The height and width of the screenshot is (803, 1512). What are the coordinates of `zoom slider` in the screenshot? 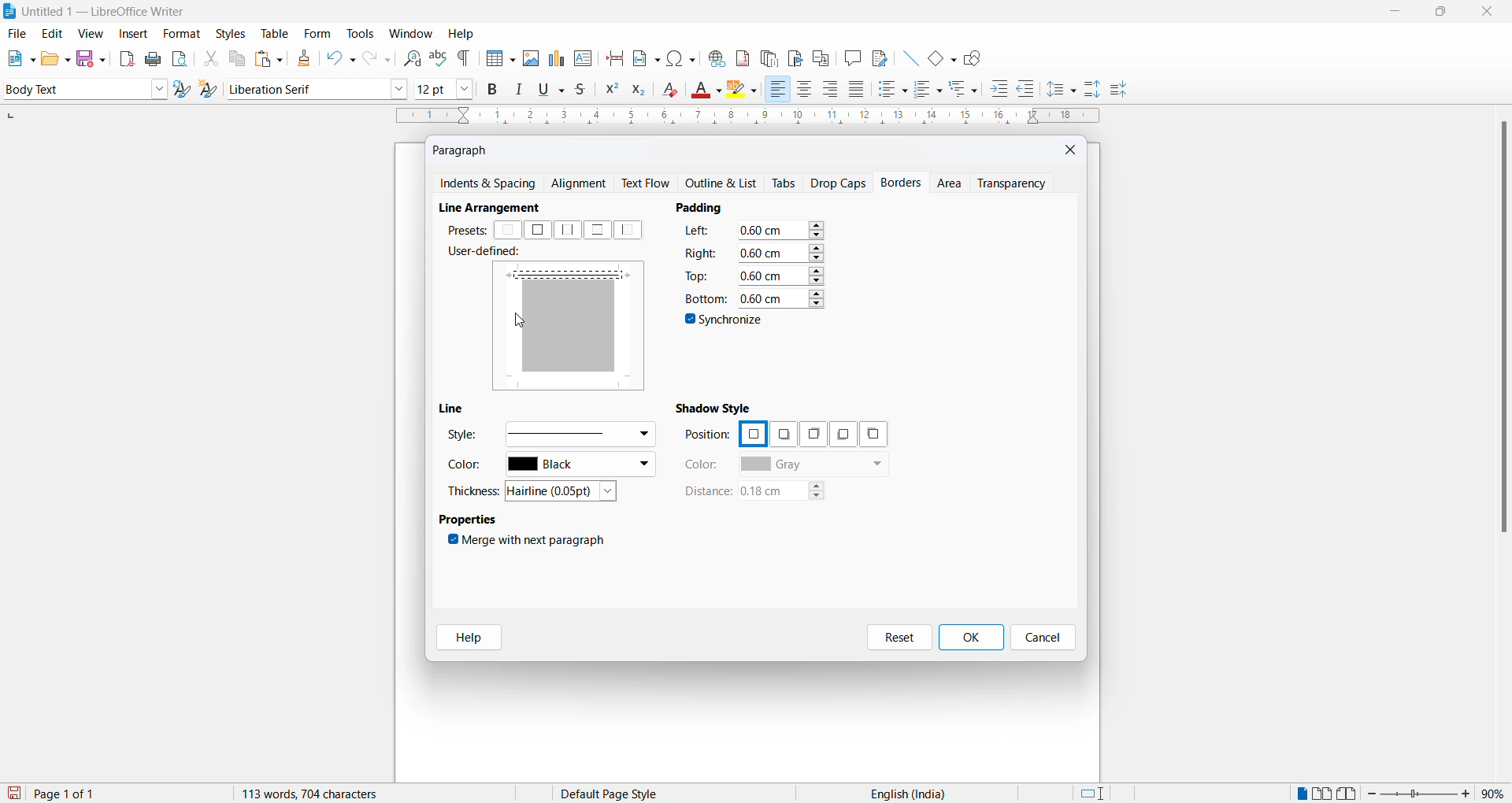 It's located at (1421, 794).